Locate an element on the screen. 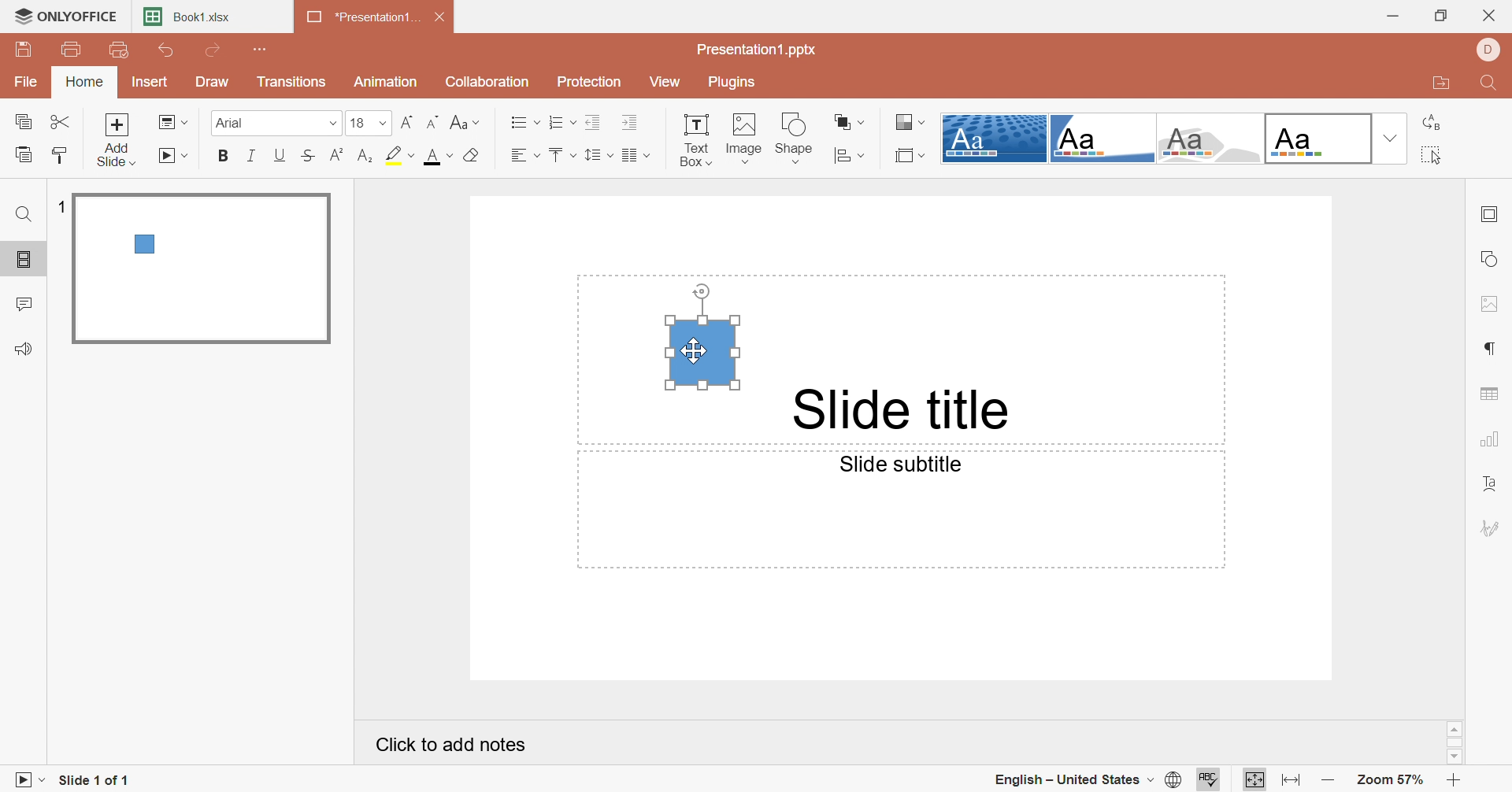 The image size is (1512, 792). Find is located at coordinates (1487, 86).